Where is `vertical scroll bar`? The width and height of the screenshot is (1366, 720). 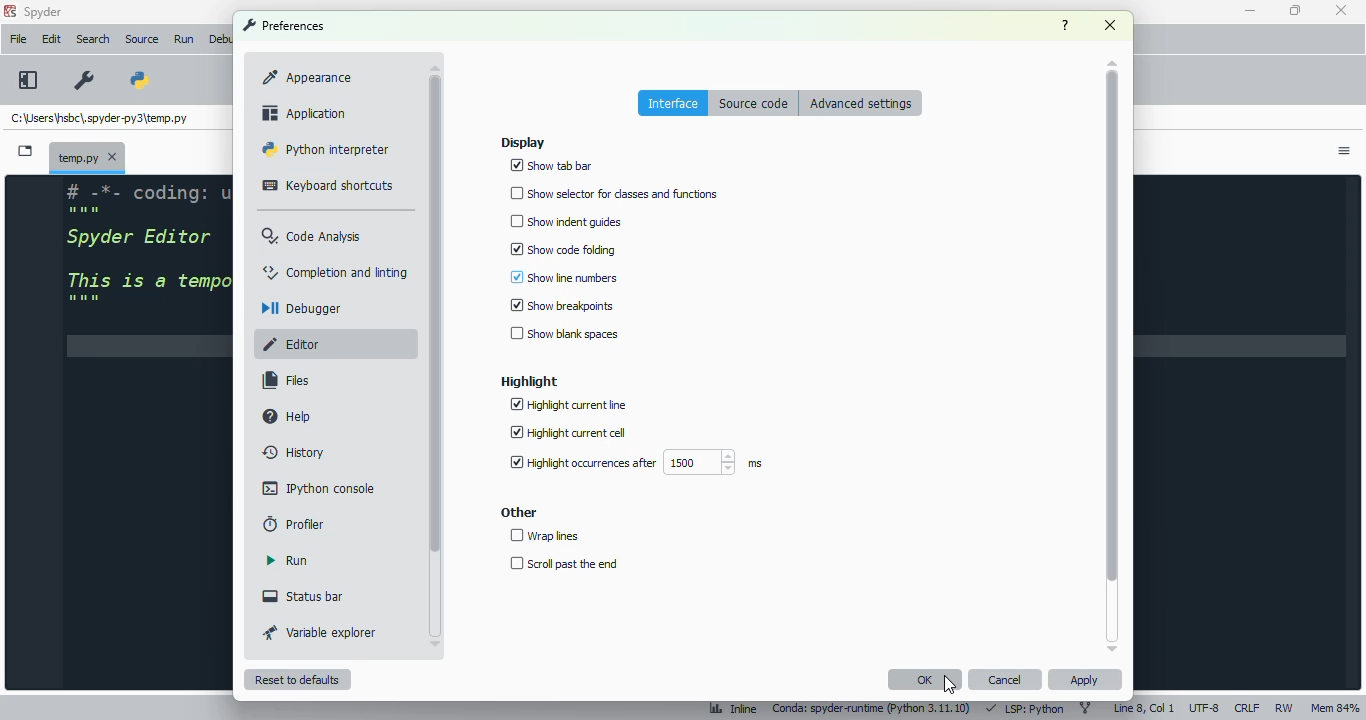
vertical scroll bar is located at coordinates (435, 312).